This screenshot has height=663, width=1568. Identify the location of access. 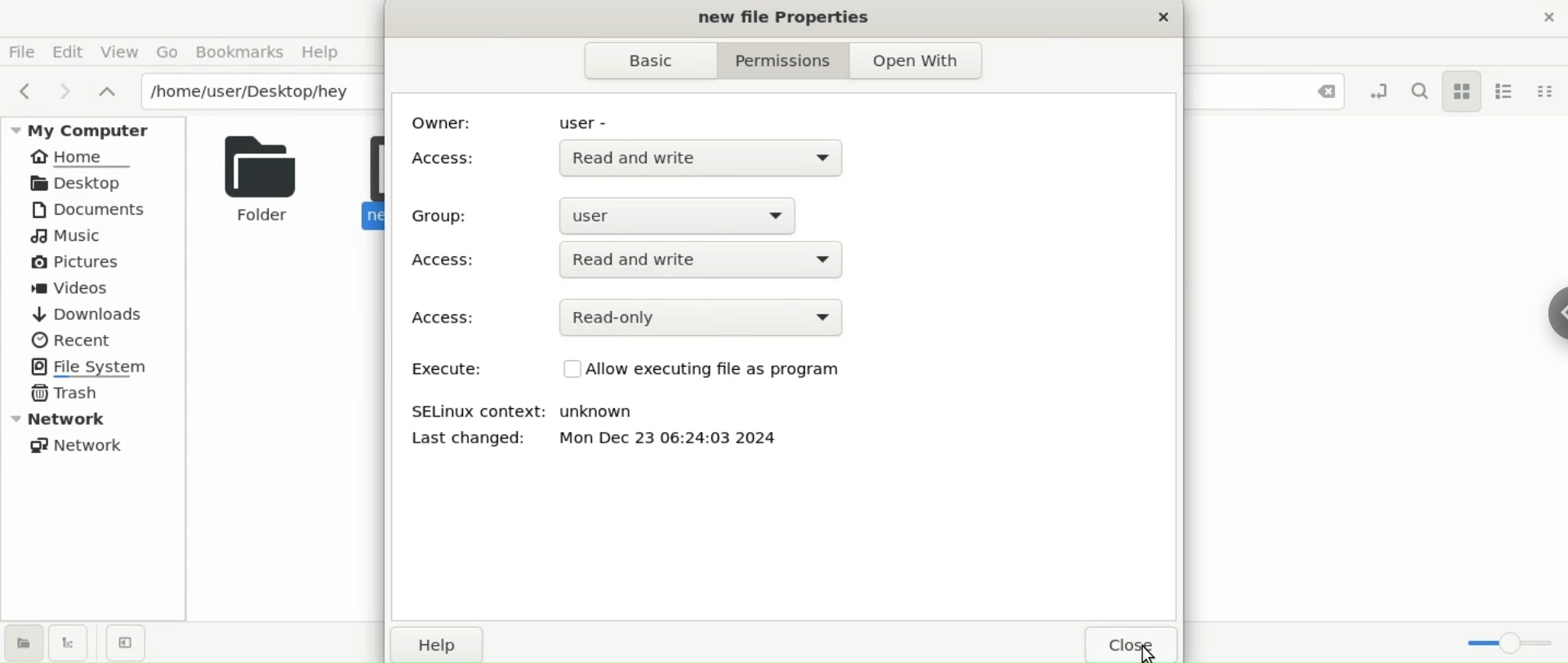
(449, 261).